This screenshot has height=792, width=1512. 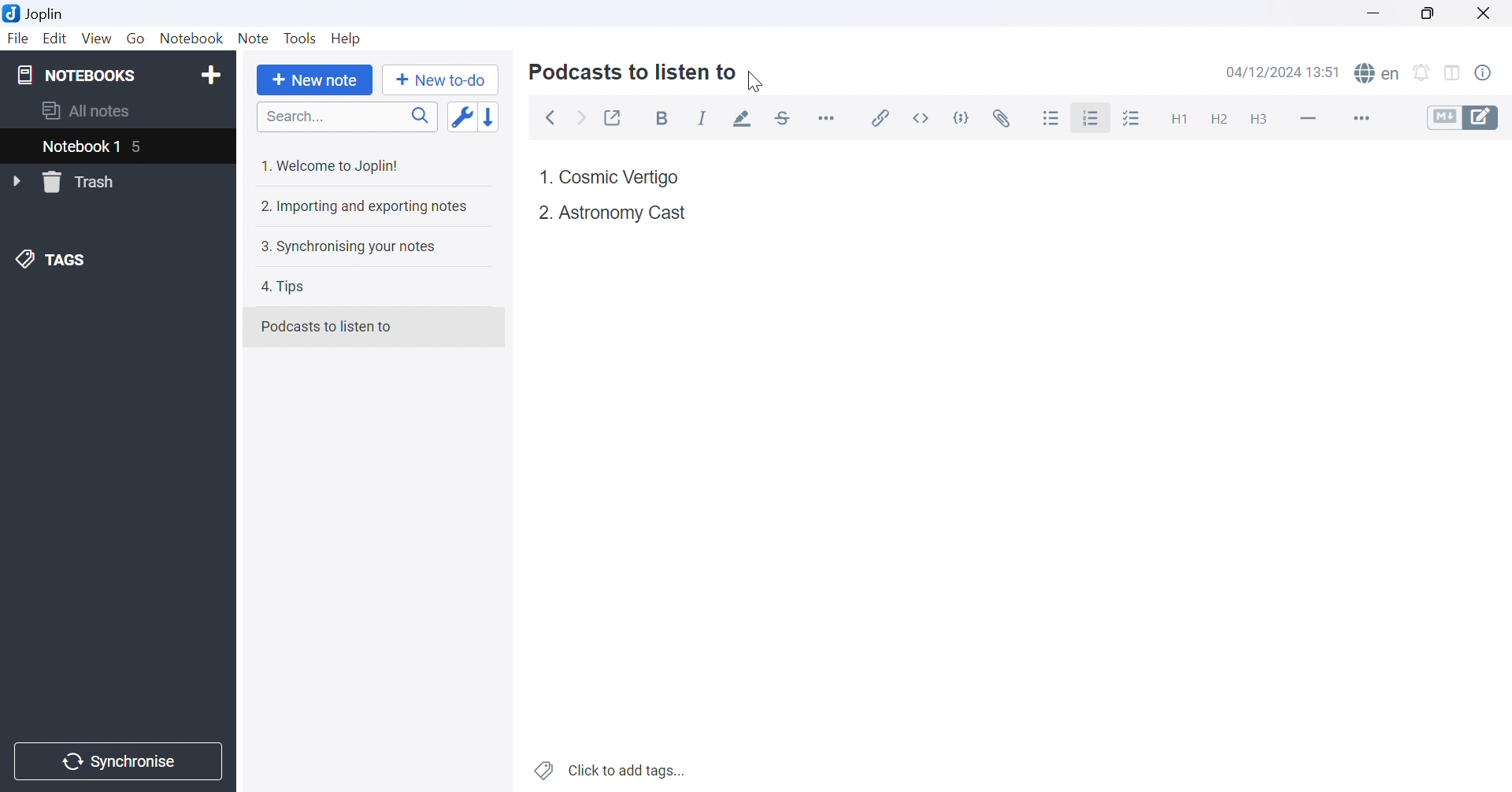 What do you see at coordinates (289, 288) in the screenshot?
I see `4. Tips` at bounding box center [289, 288].